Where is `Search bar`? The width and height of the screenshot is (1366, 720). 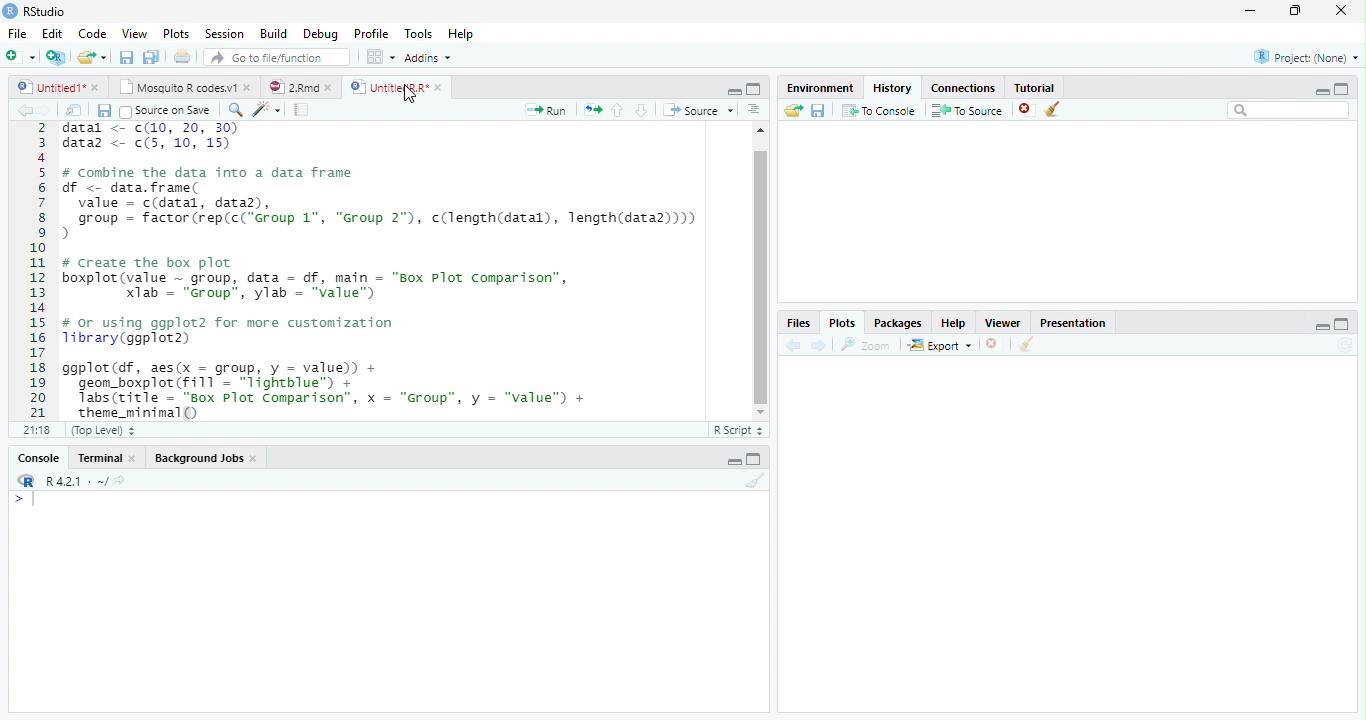 Search bar is located at coordinates (1289, 111).